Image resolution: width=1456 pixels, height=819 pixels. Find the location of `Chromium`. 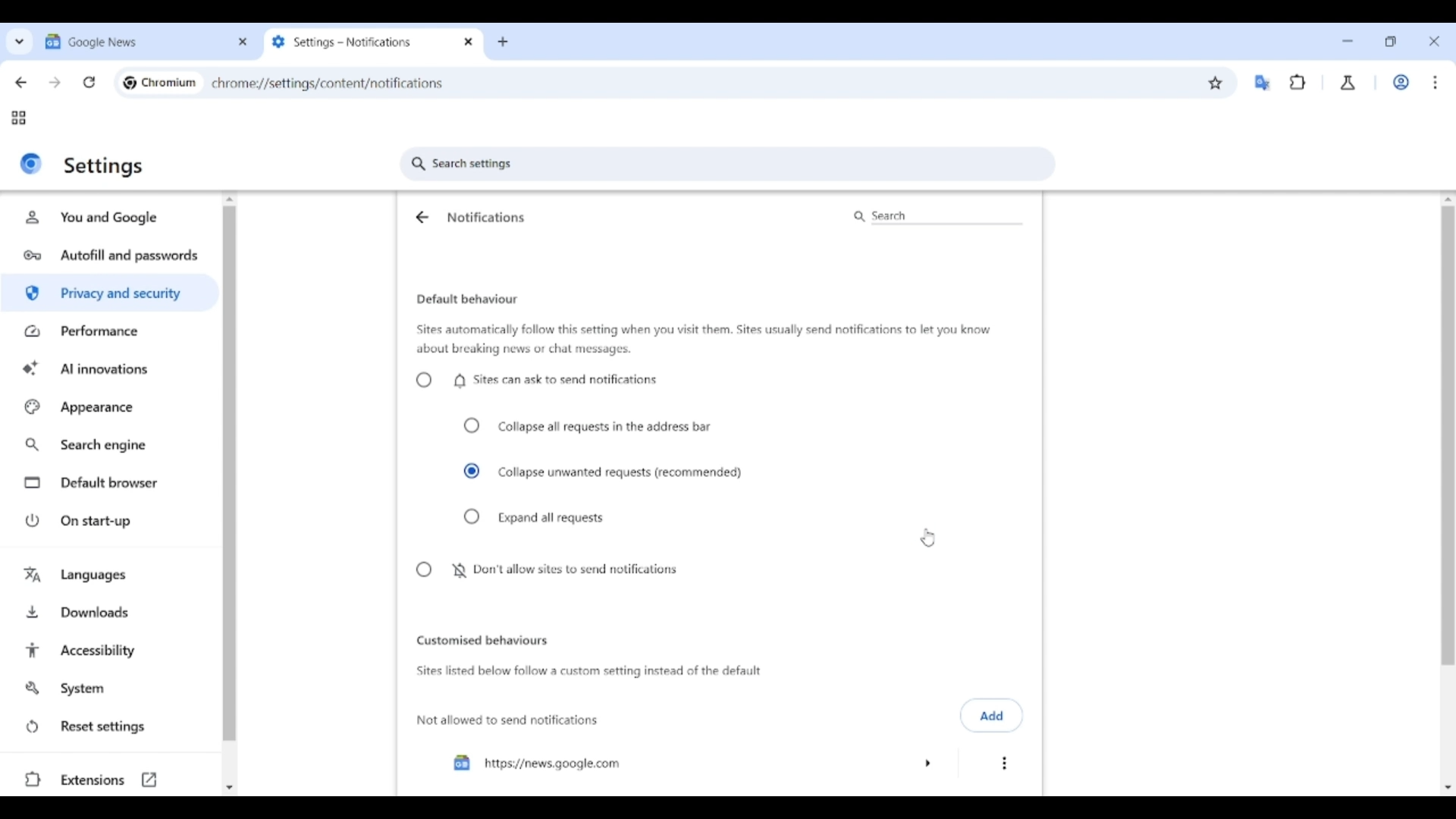

Chromium is located at coordinates (169, 82).